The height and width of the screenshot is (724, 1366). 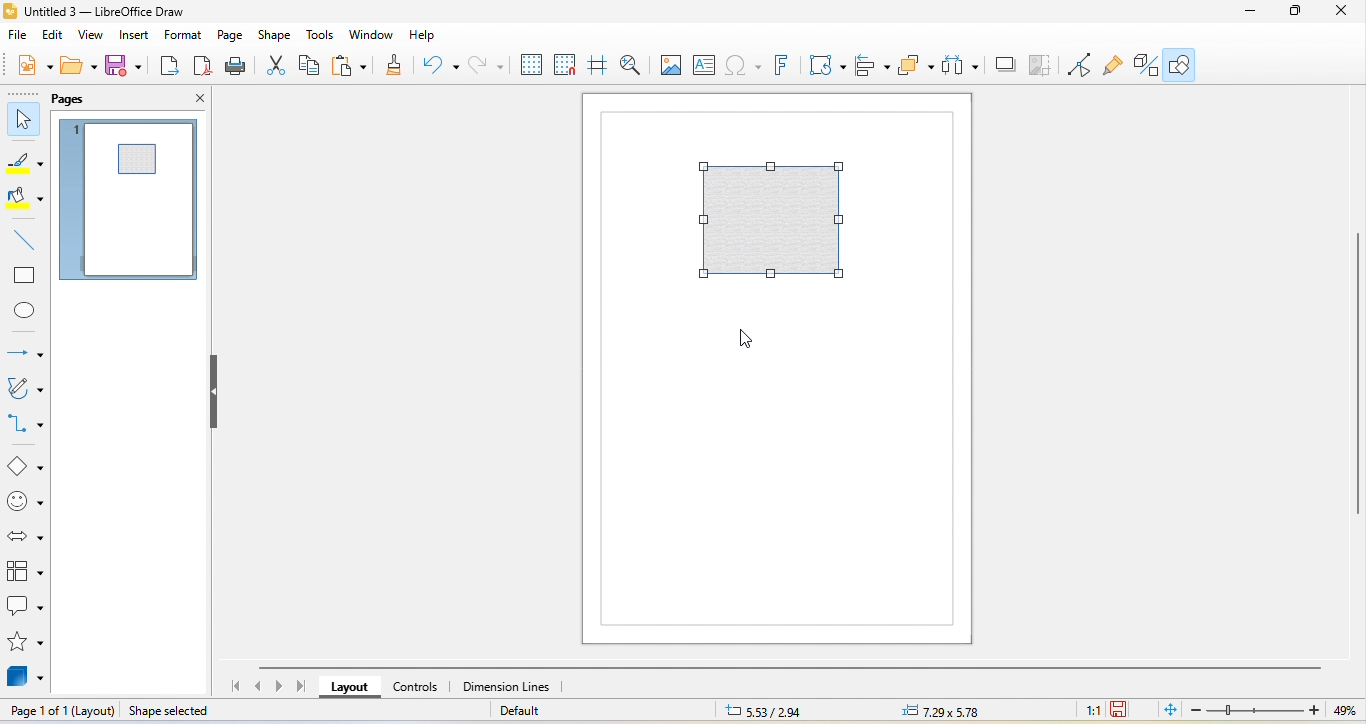 I want to click on stars and banners, so click(x=25, y=642).